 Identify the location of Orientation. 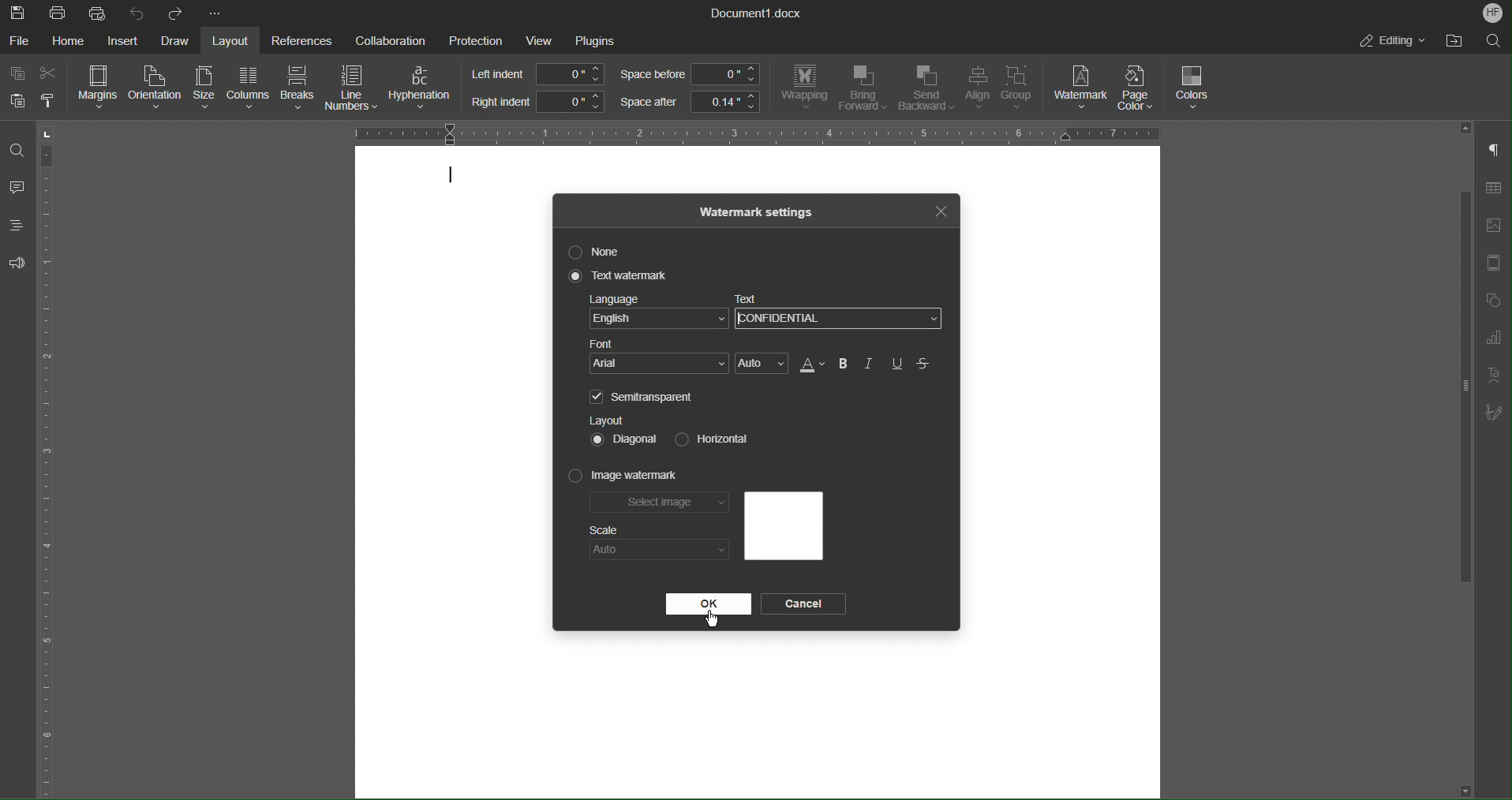
(156, 88).